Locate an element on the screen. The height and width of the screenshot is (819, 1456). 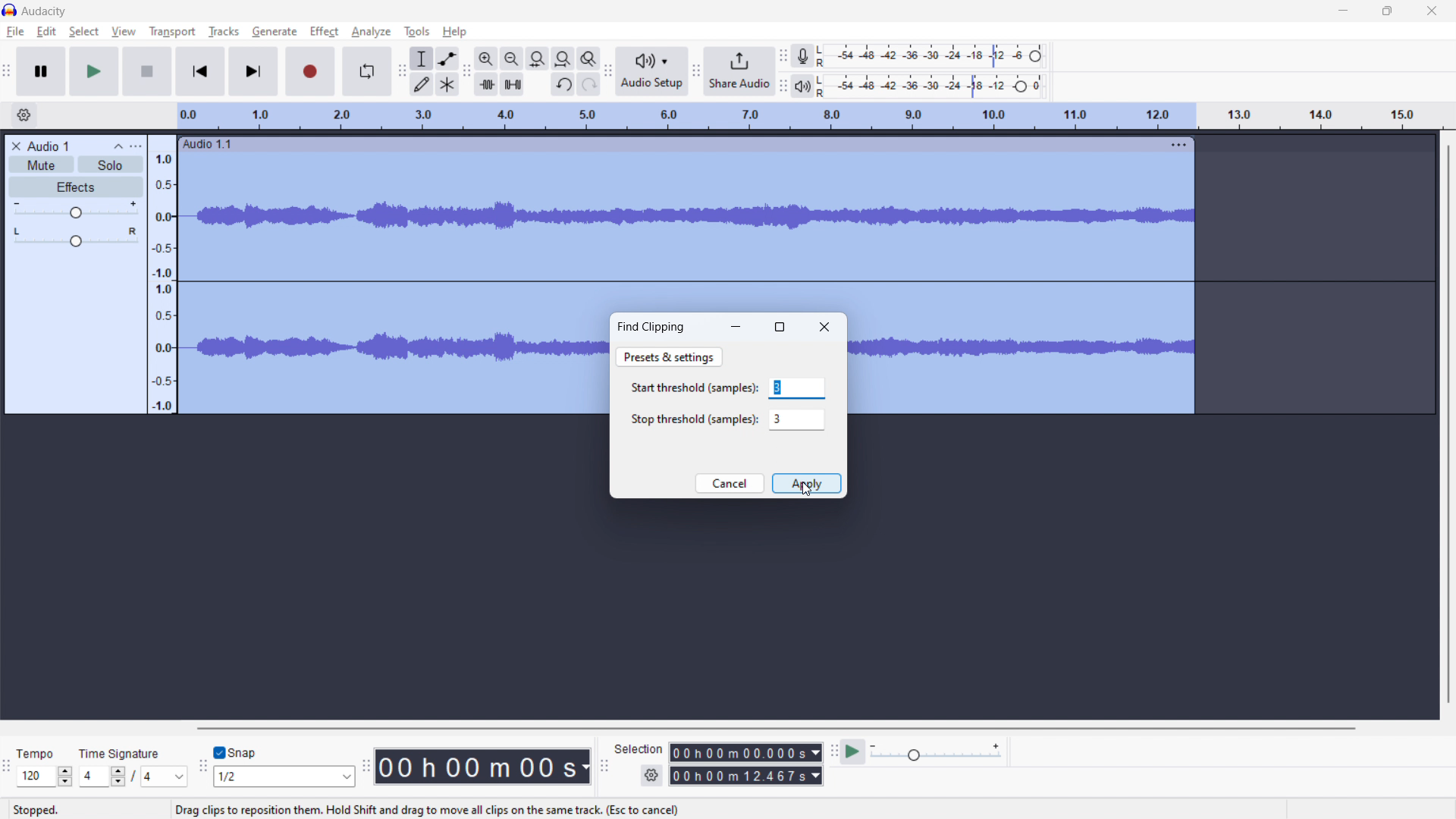
effect is located at coordinates (325, 32).